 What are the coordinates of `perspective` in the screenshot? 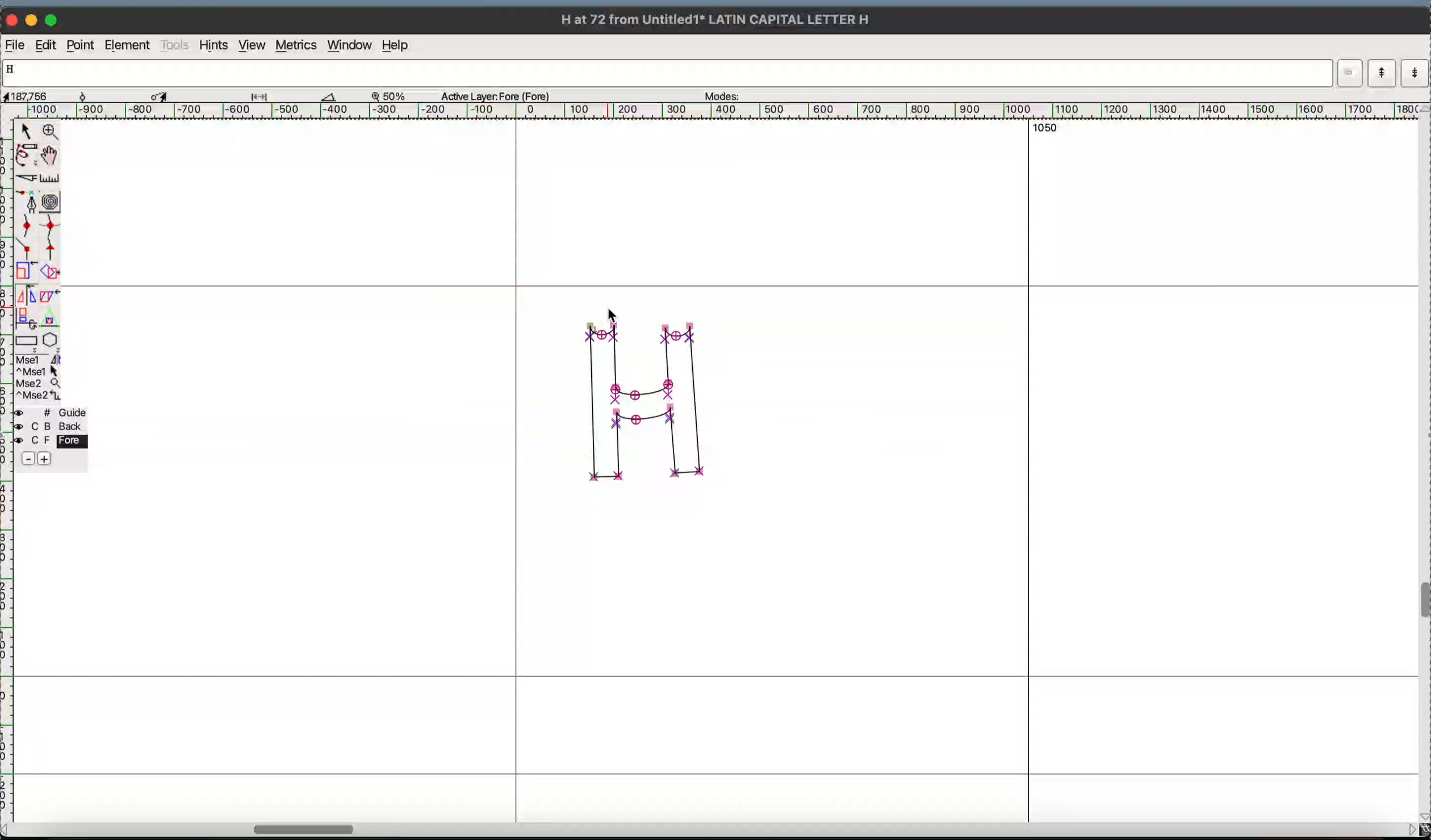 It's located at (50, 318).